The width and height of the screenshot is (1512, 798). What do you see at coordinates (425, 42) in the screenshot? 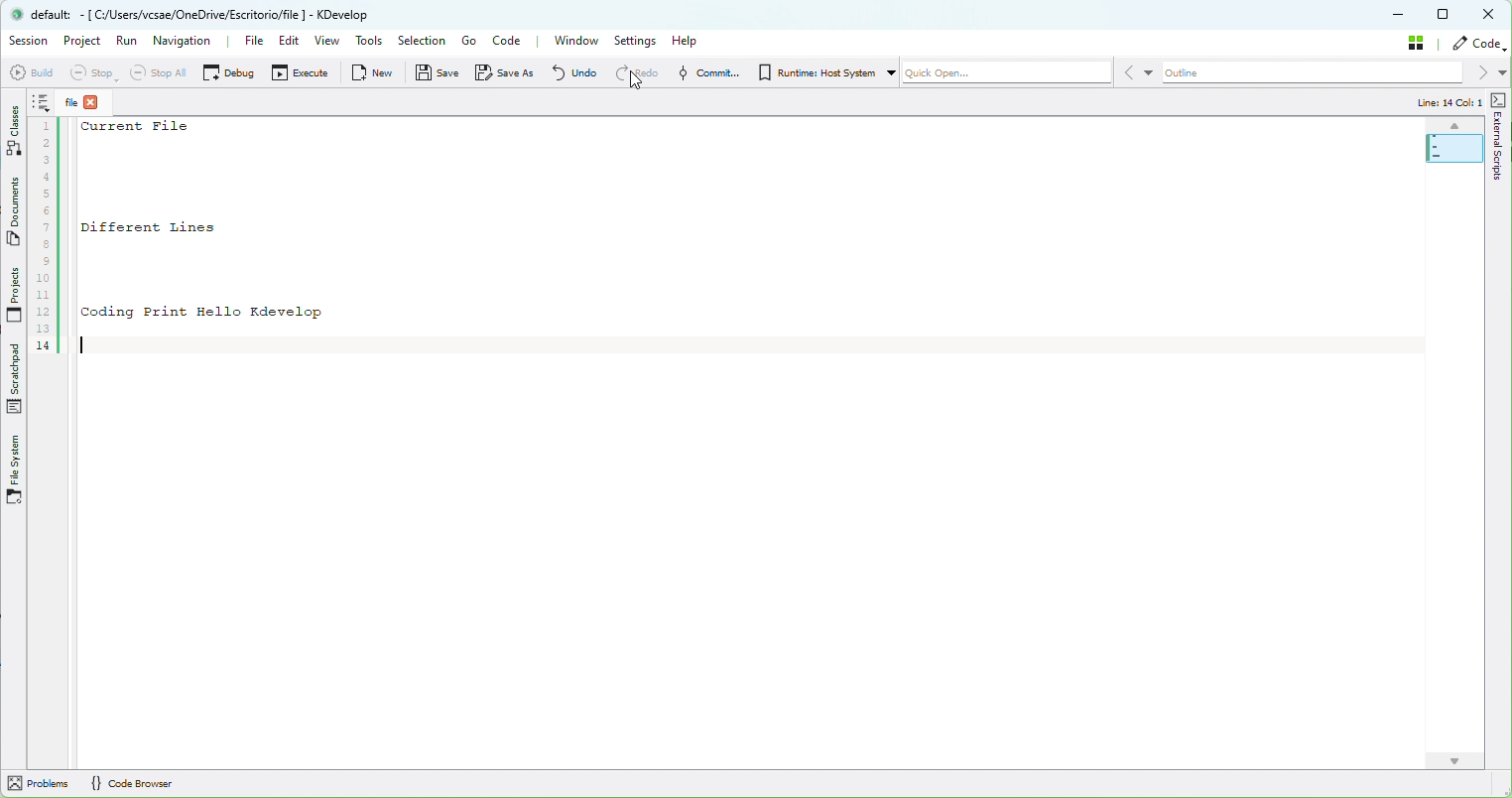
I see `Selection` at bounding box center [425, 42].